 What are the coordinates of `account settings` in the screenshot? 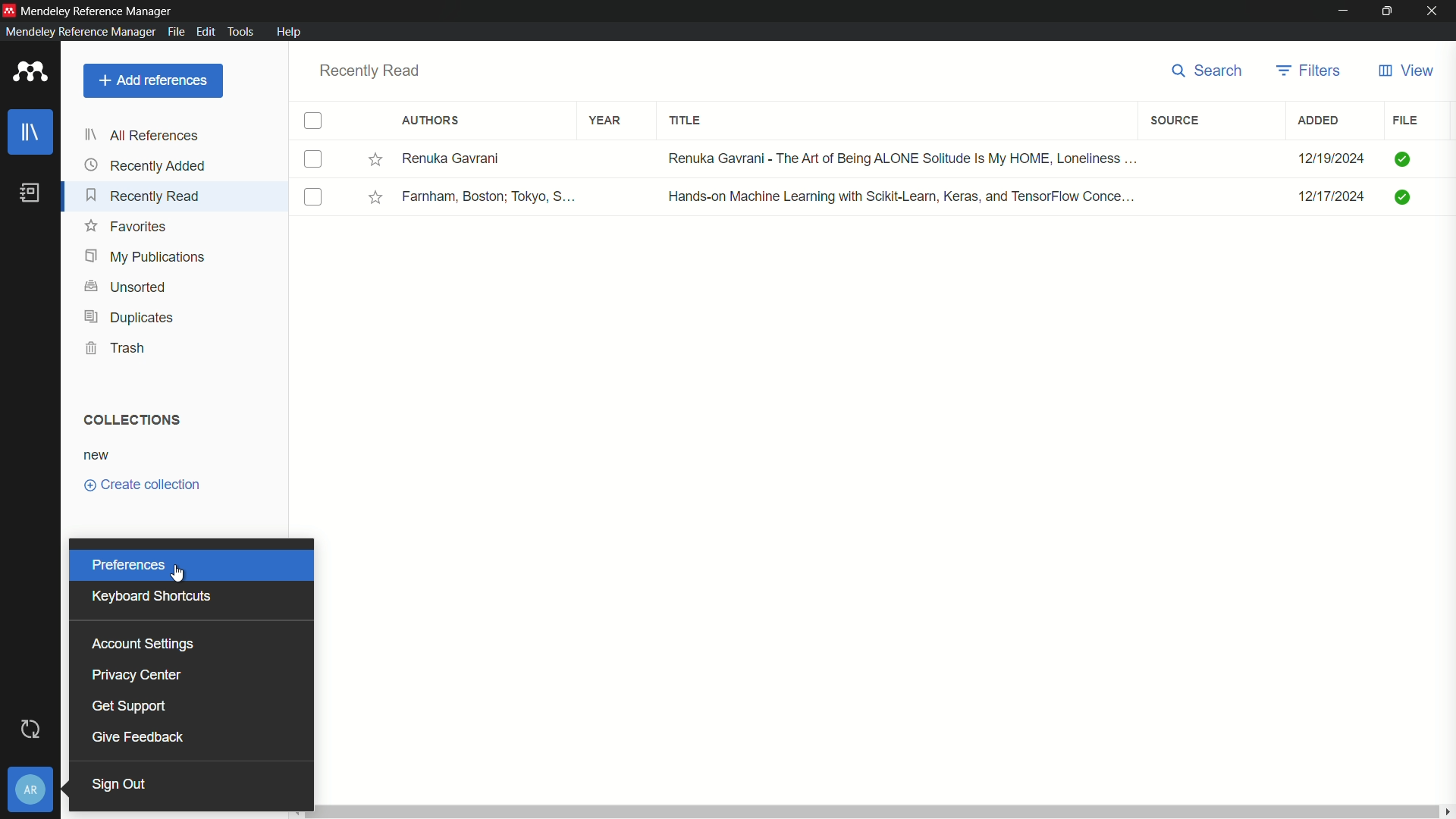 It's located at (141, 644).